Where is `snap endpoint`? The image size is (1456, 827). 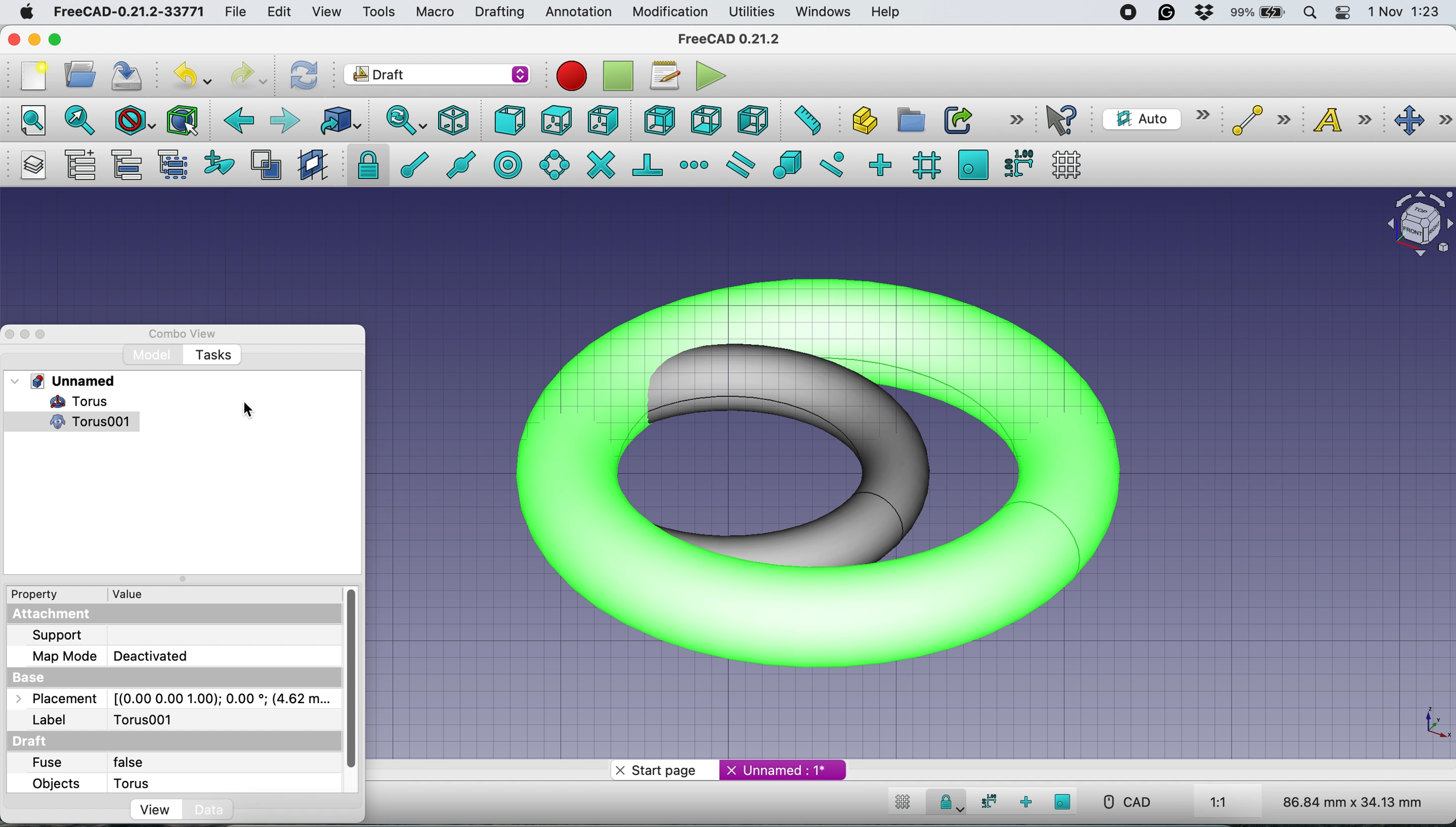 snap endpoint is located at coordinates (411, 164).